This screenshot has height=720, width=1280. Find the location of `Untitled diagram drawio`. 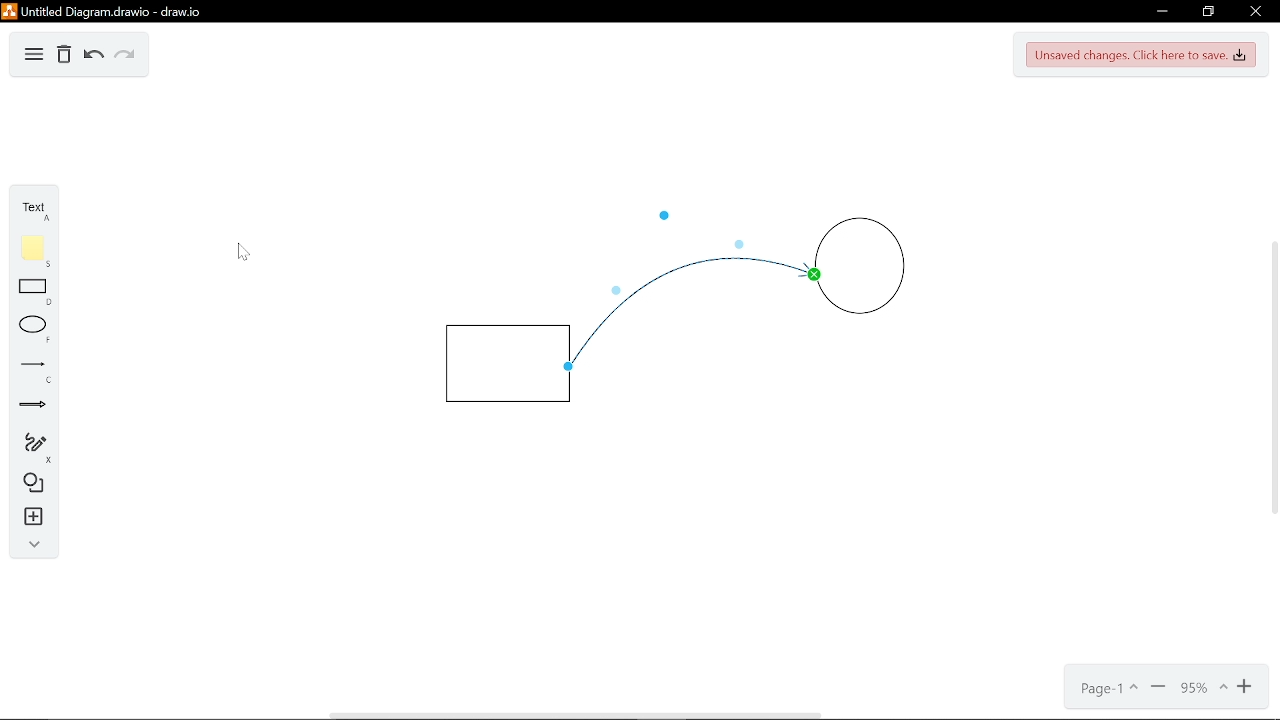

Untitled diagram drawio is located at coordinates (104, 13).